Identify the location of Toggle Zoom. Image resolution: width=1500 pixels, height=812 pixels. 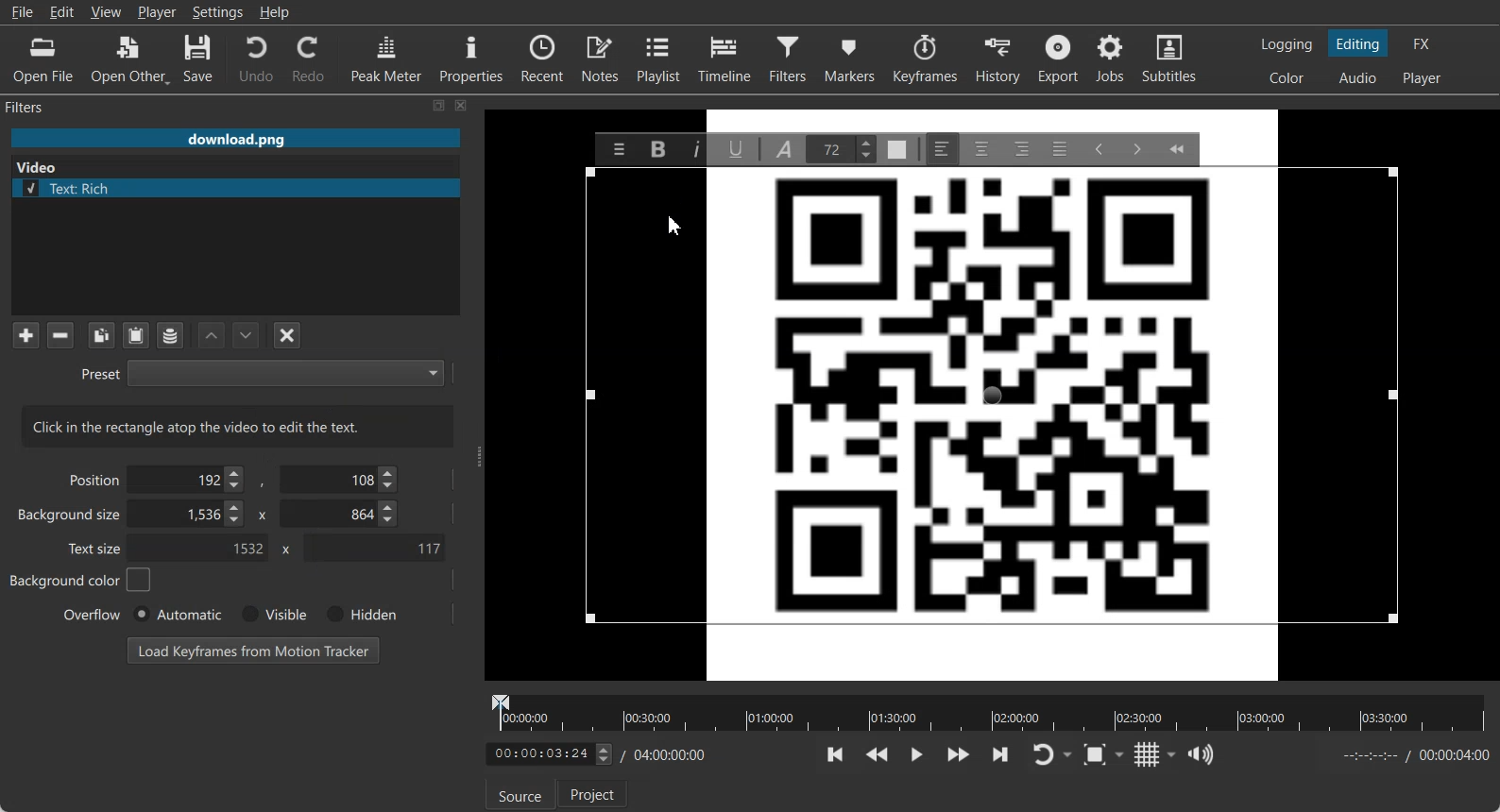
(1097, 755).